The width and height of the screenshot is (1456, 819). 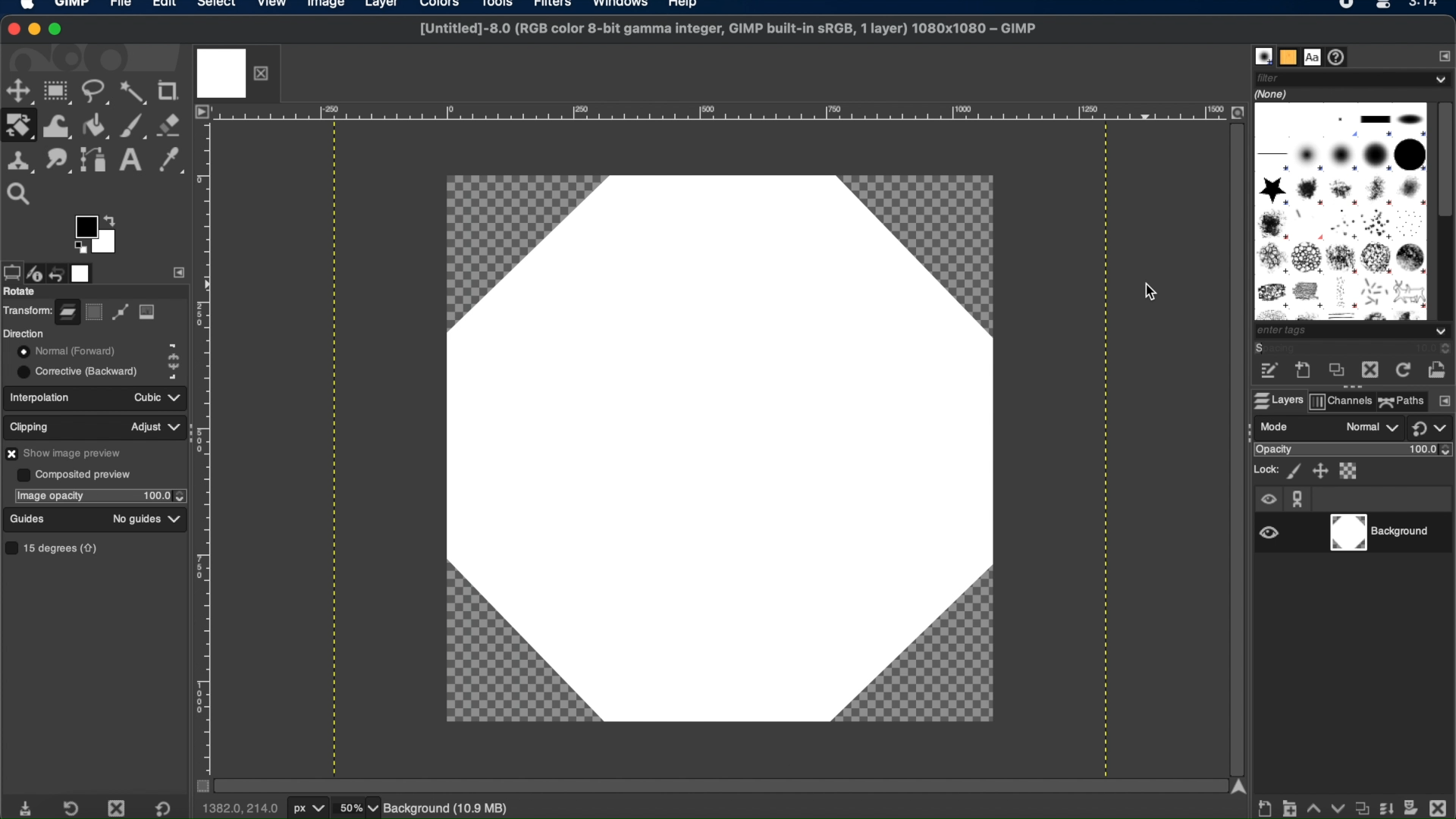 What do you see at coordinates (67, 453) in the screenshot?
I see `show image preview` at bounding box center [67, 453].